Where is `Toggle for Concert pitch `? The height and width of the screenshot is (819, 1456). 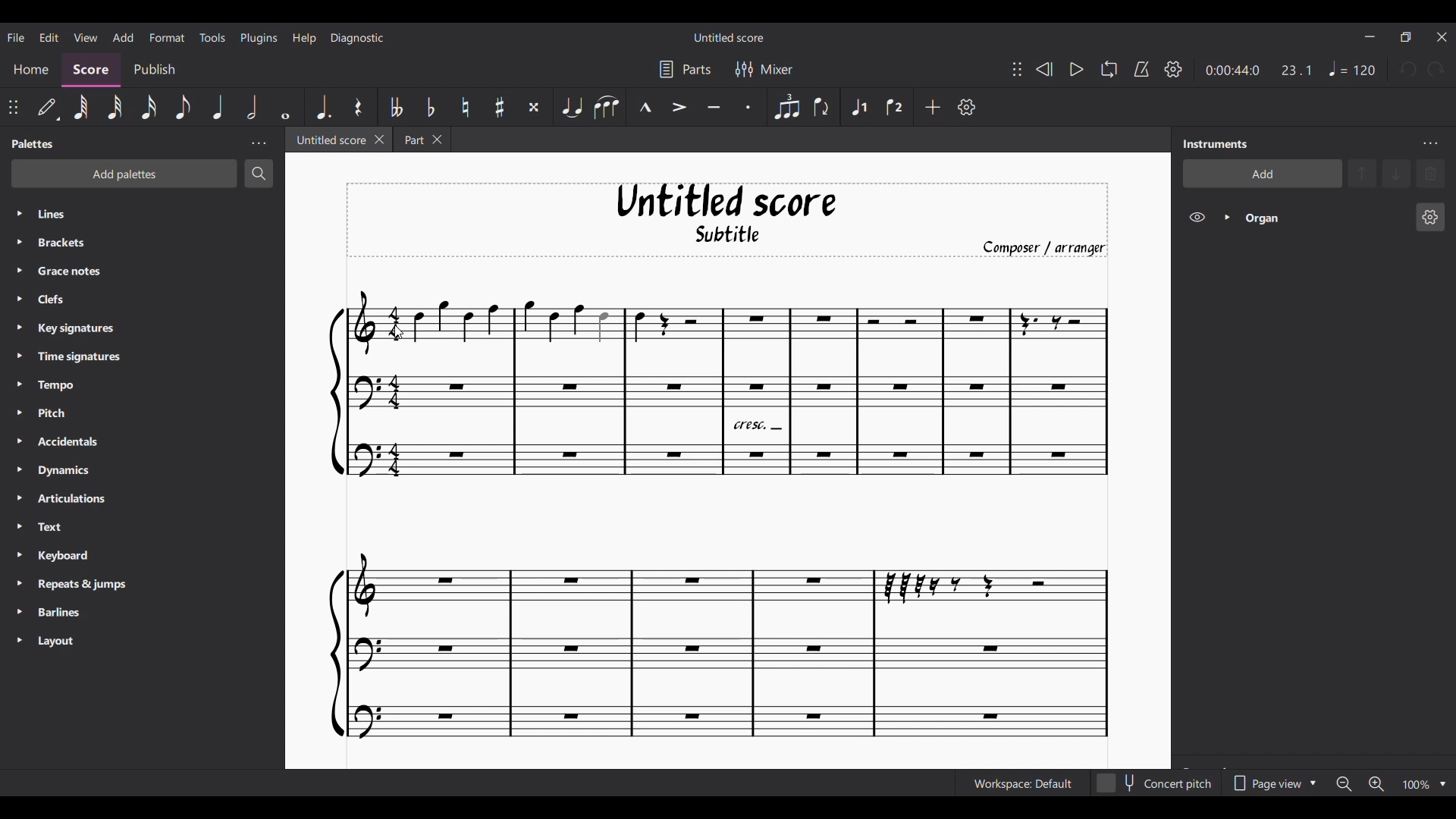
Toggle for Concert pitch  is located at coordinates (1154, 783).